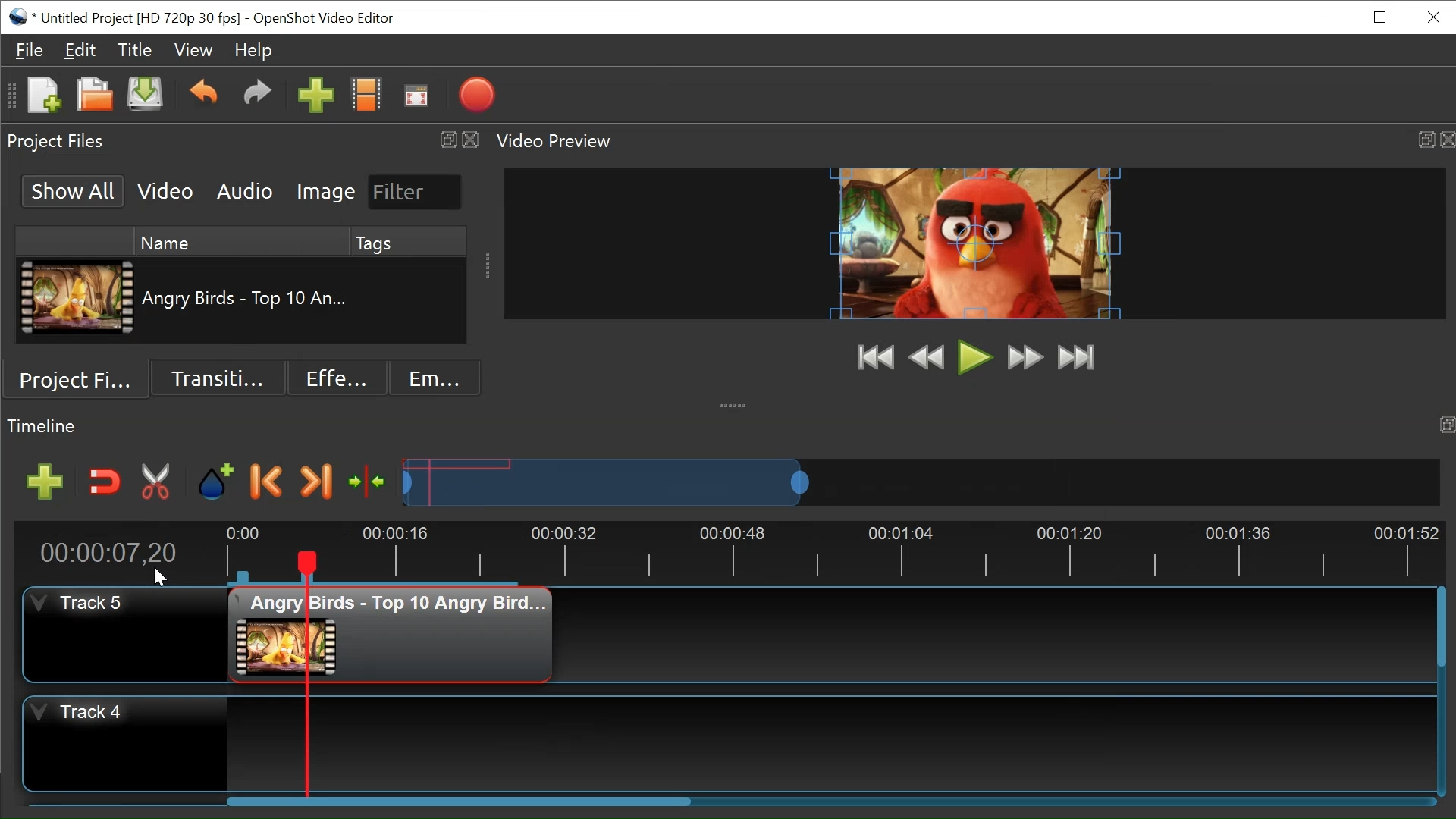 The width and height of the screenshot is (1456, 819). I want to click on Name, so click(240, 242).